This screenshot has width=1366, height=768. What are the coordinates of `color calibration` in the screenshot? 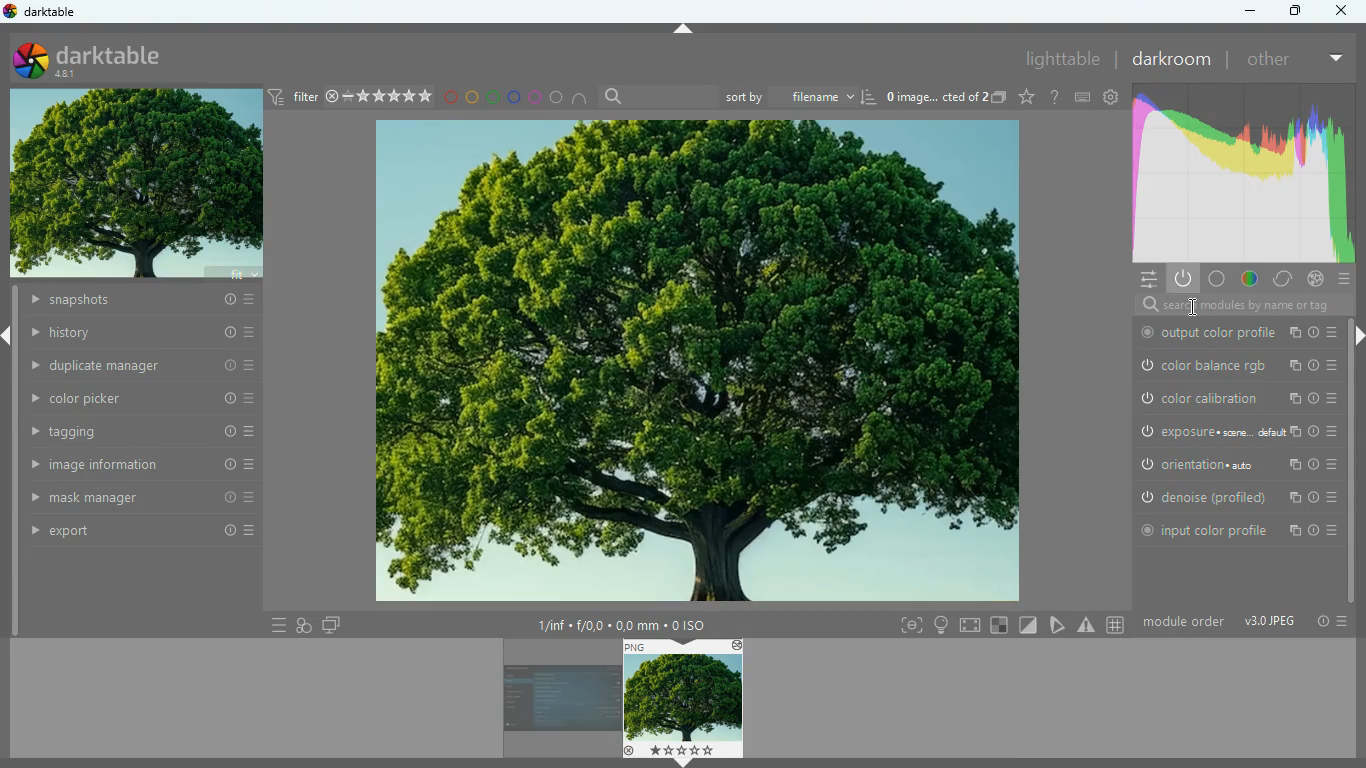 It's located at (1235, 397).